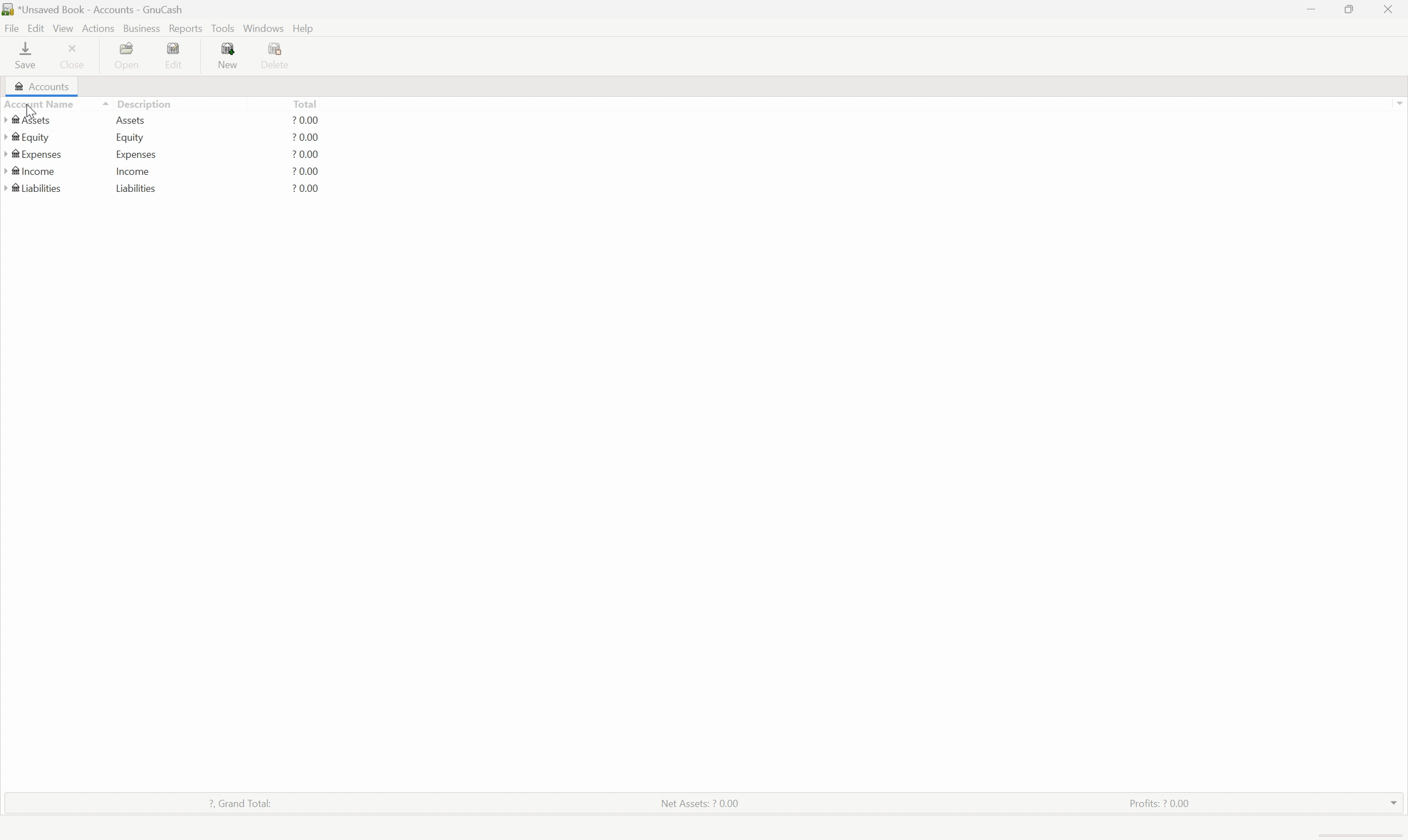 This screenshot has height=840, width=1408. I want to click on help, so click(305, 29).